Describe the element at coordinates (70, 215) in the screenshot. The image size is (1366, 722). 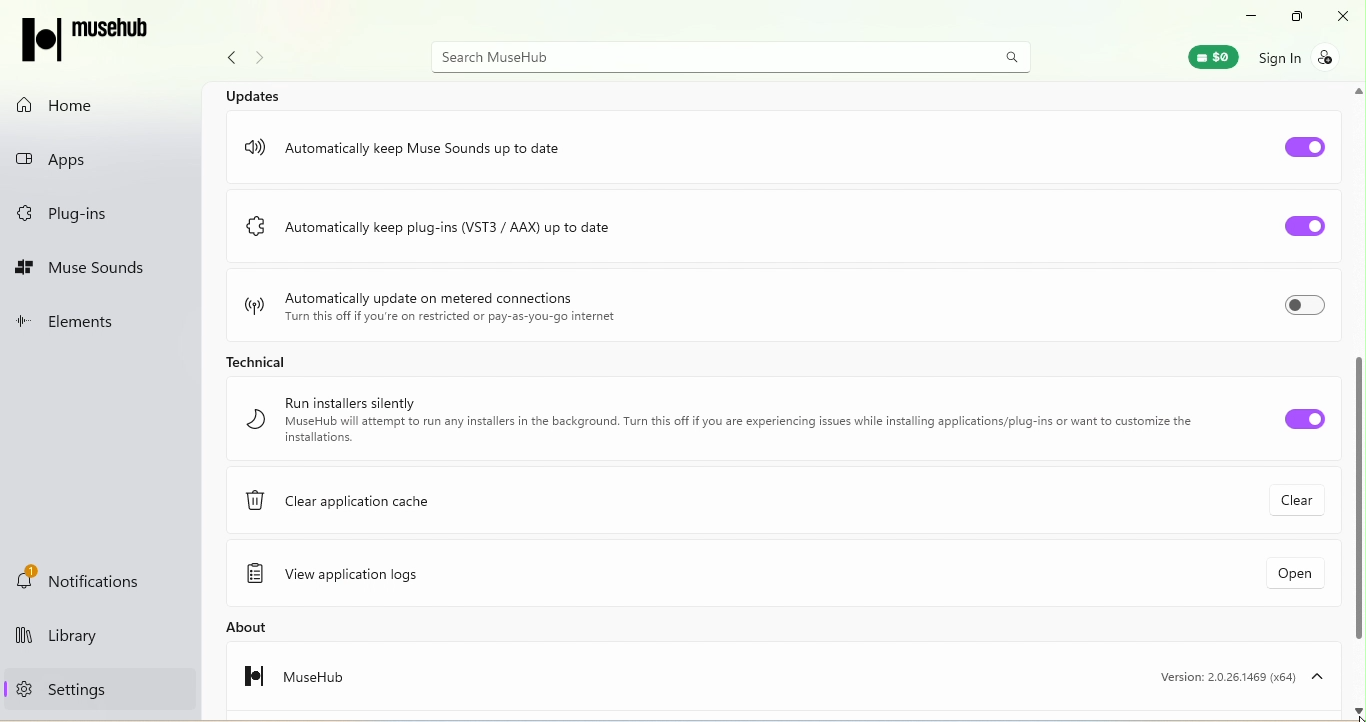
I see `Plug-Ins` at that location.